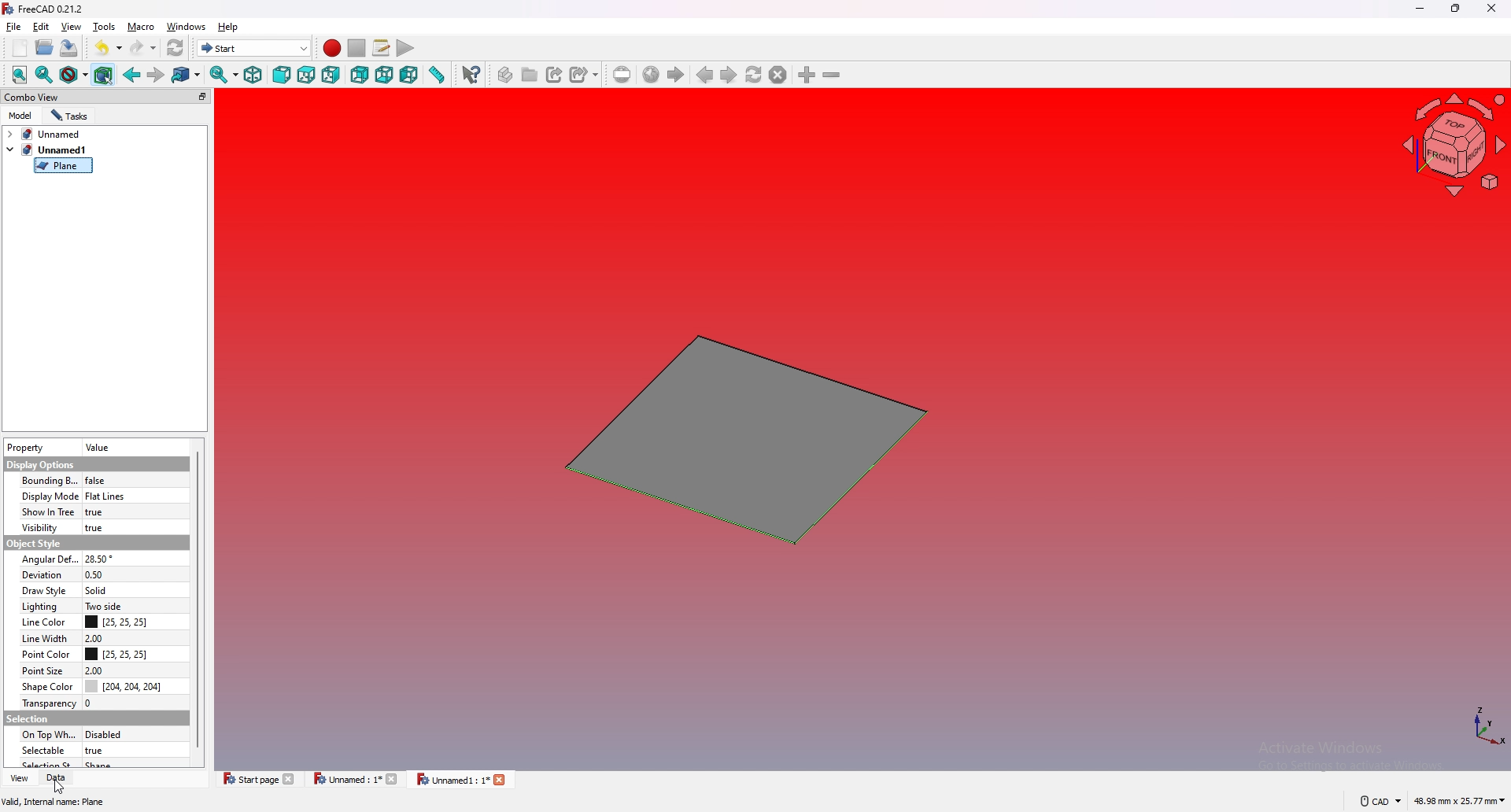 This screenshot has width=1511, height=812. Describe the element at coordinates (808, 75) in the screenshot. I see `zoom in` at that location.